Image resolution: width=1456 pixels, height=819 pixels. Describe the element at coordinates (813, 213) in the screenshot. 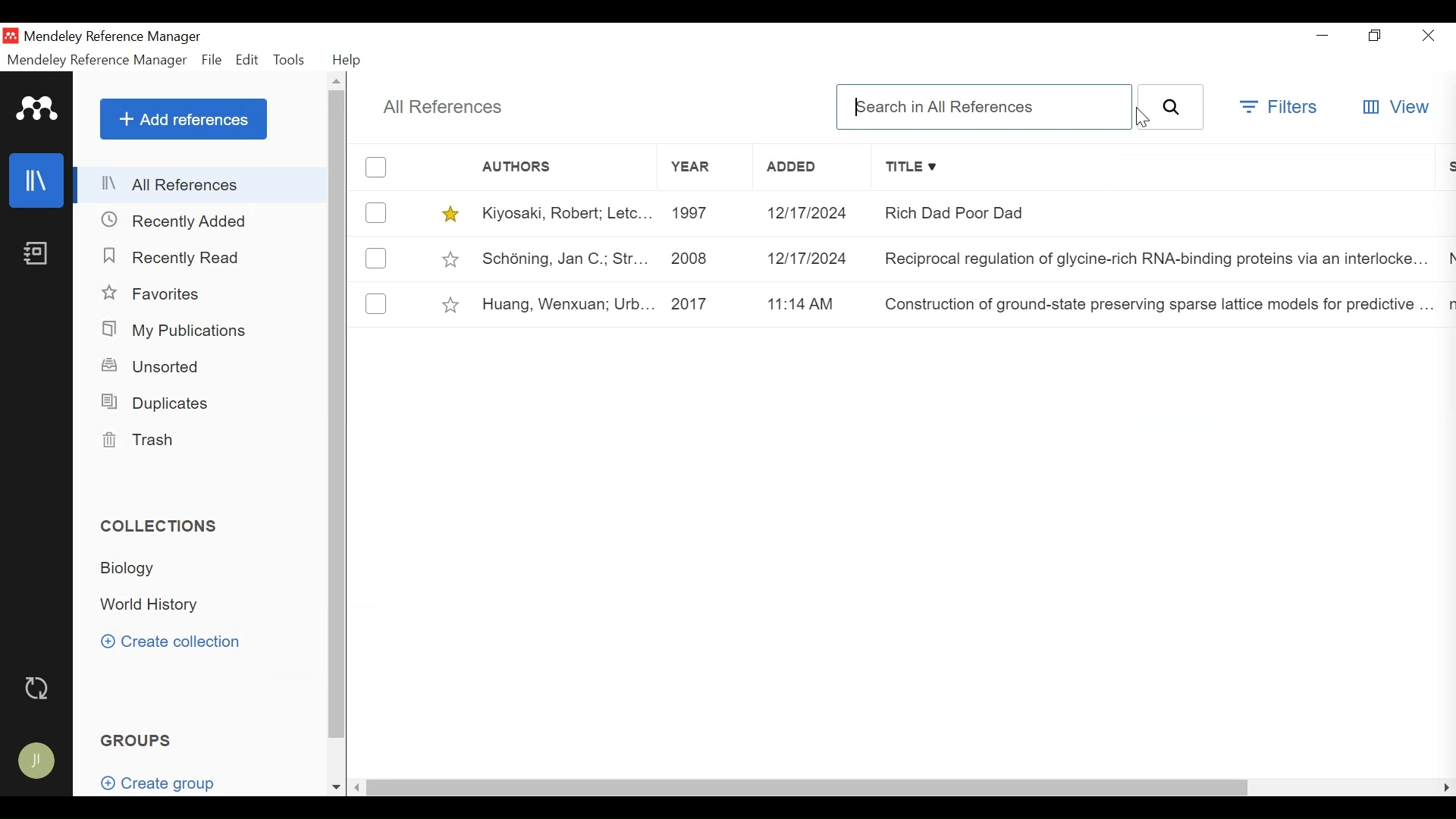

I see `12/17/2024` at that location.